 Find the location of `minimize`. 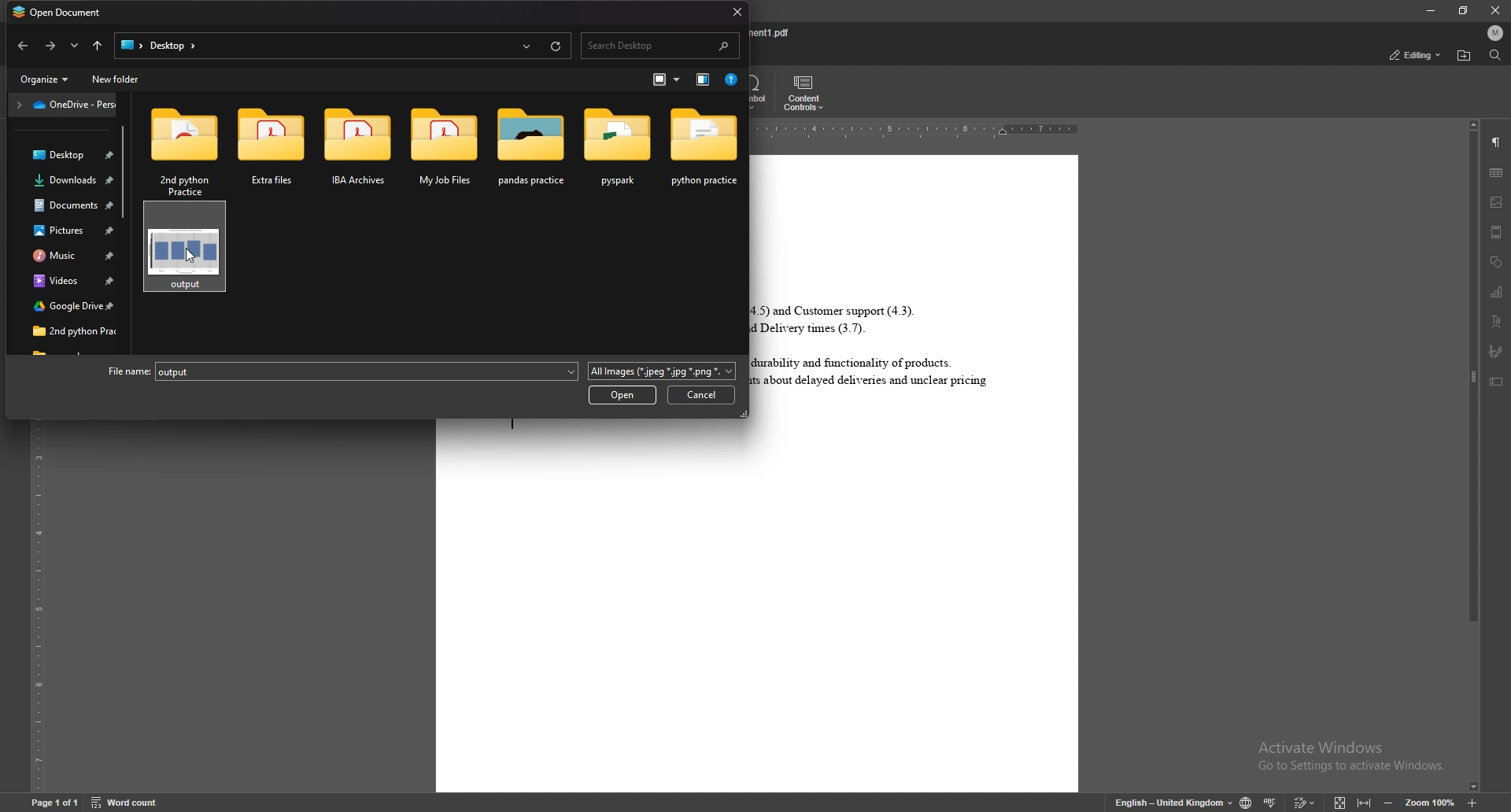

minimize is located at coordinates (1429, 10).